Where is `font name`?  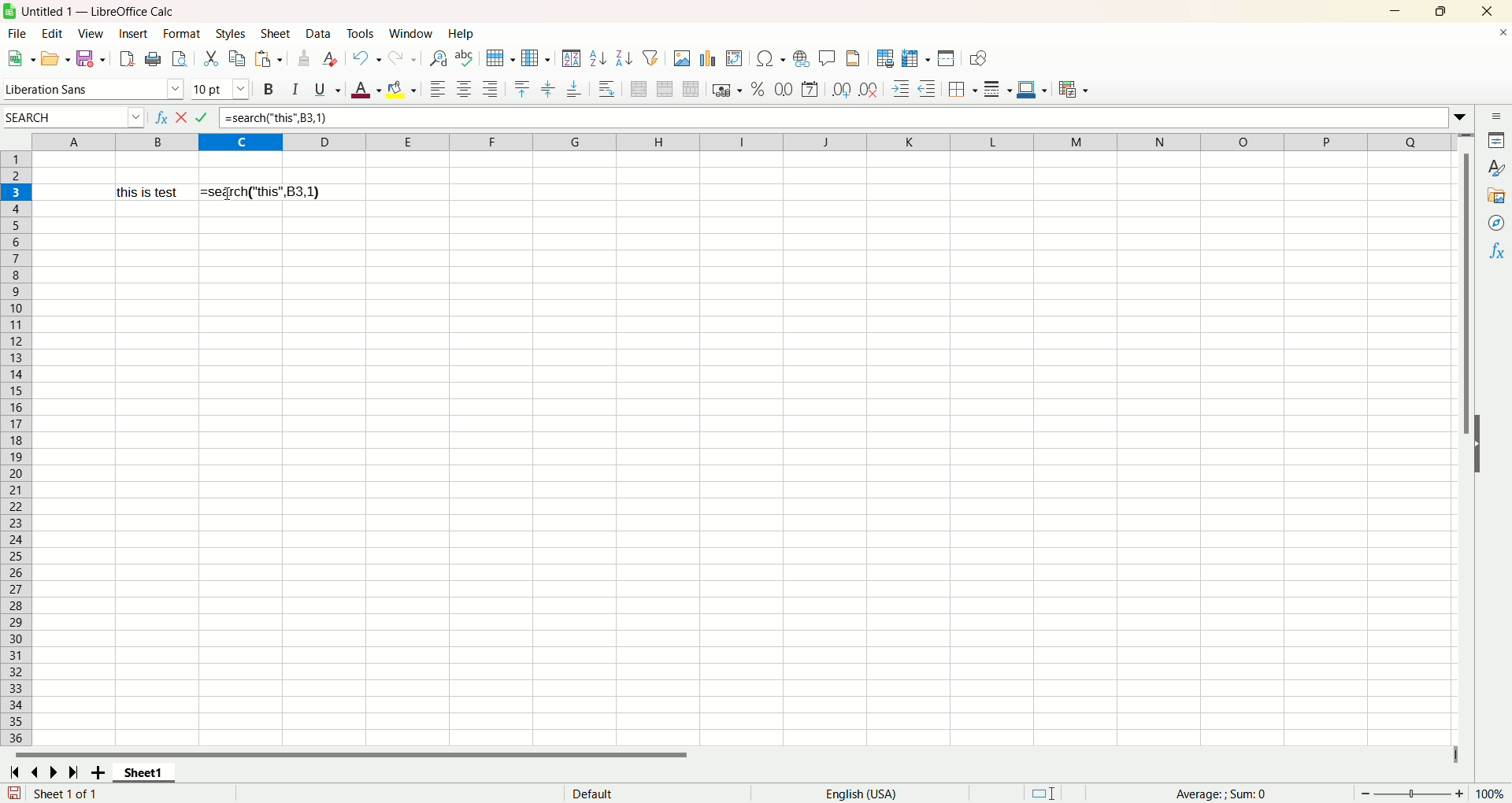
font name is located at coordinates (94, 87).